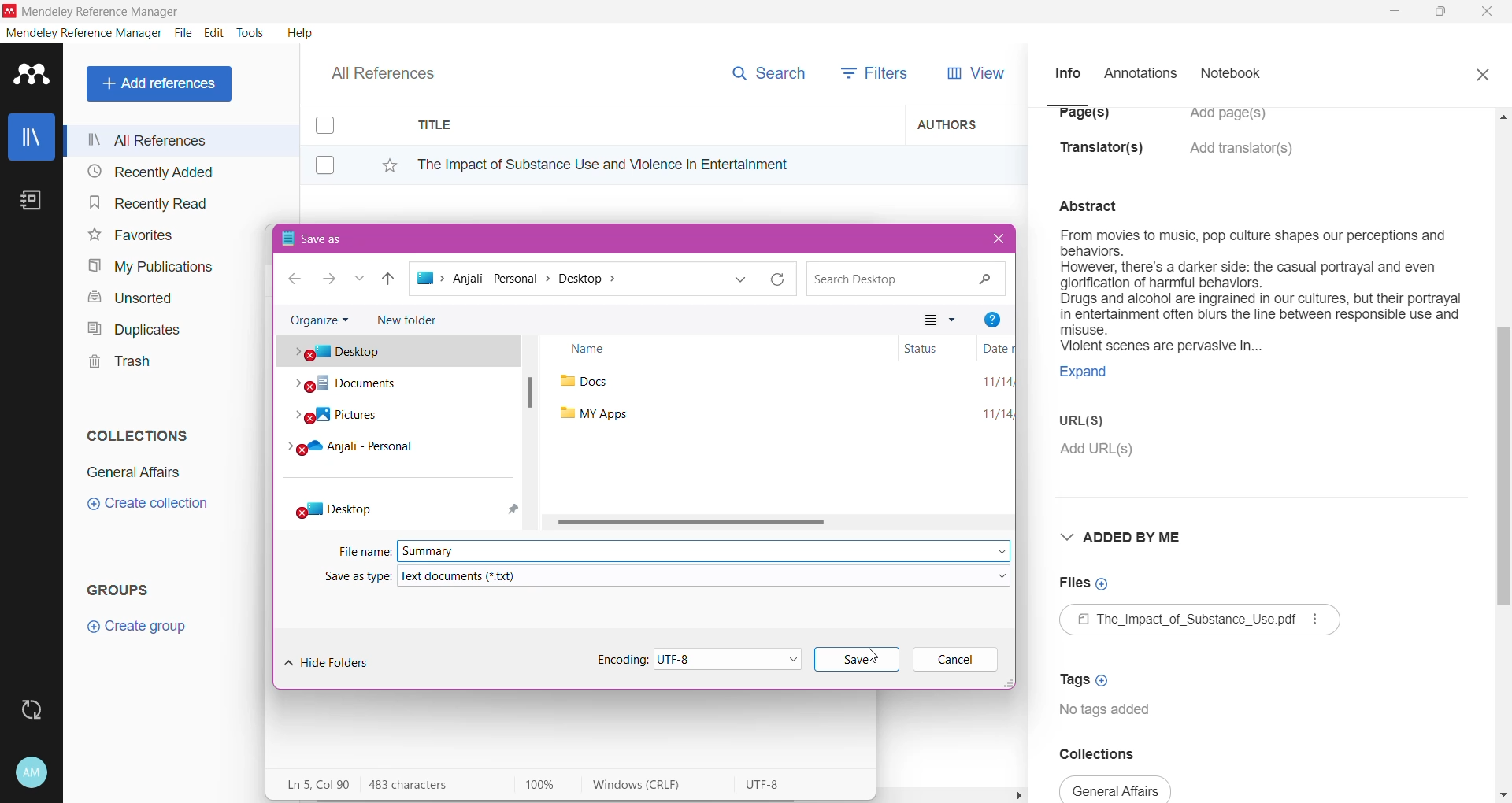 This screenshot has height=803, width=1512. I want to click on Notes, so click(35, 202).